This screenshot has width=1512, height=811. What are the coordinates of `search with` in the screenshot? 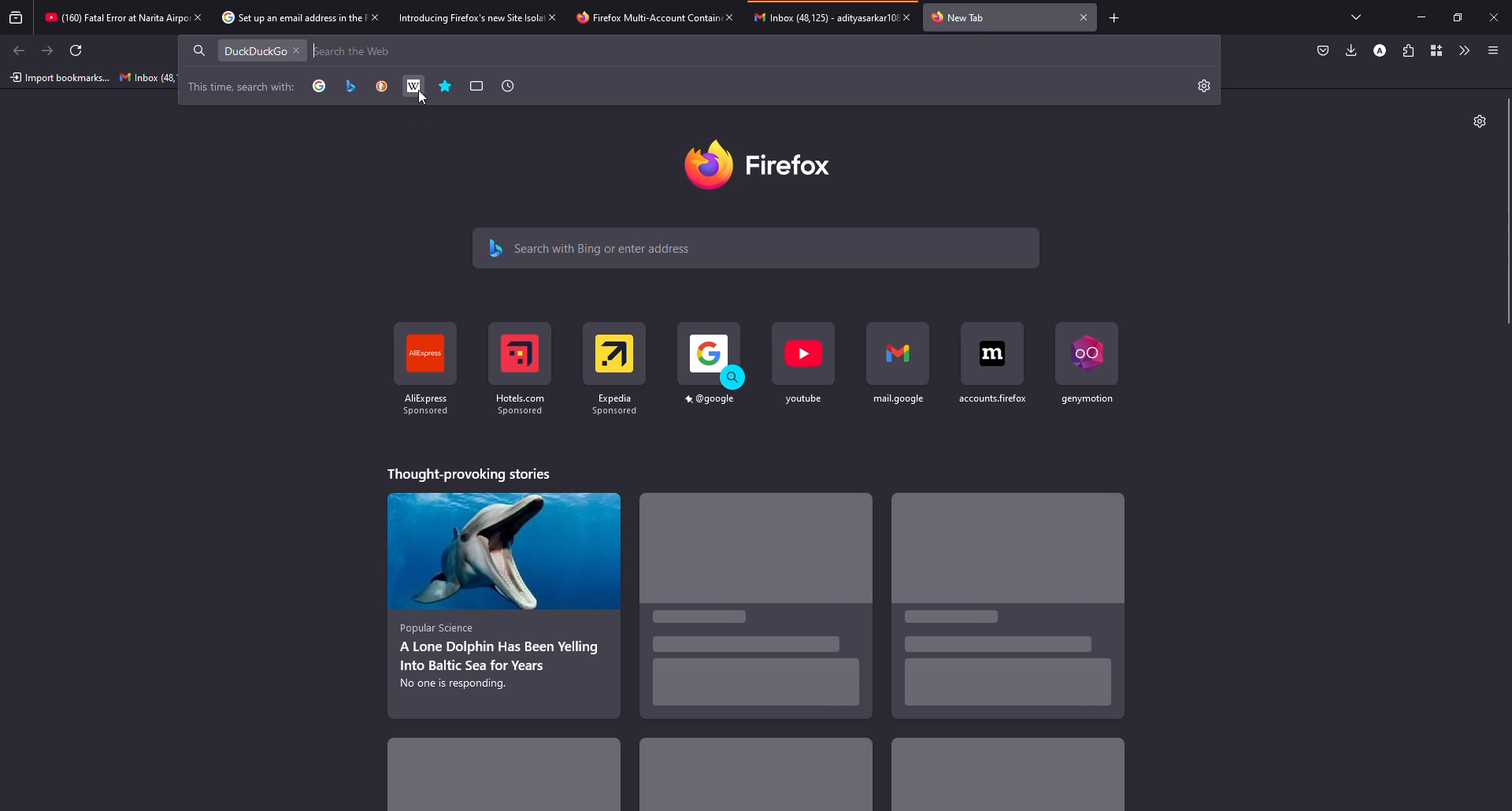 It's located at (242, 87).